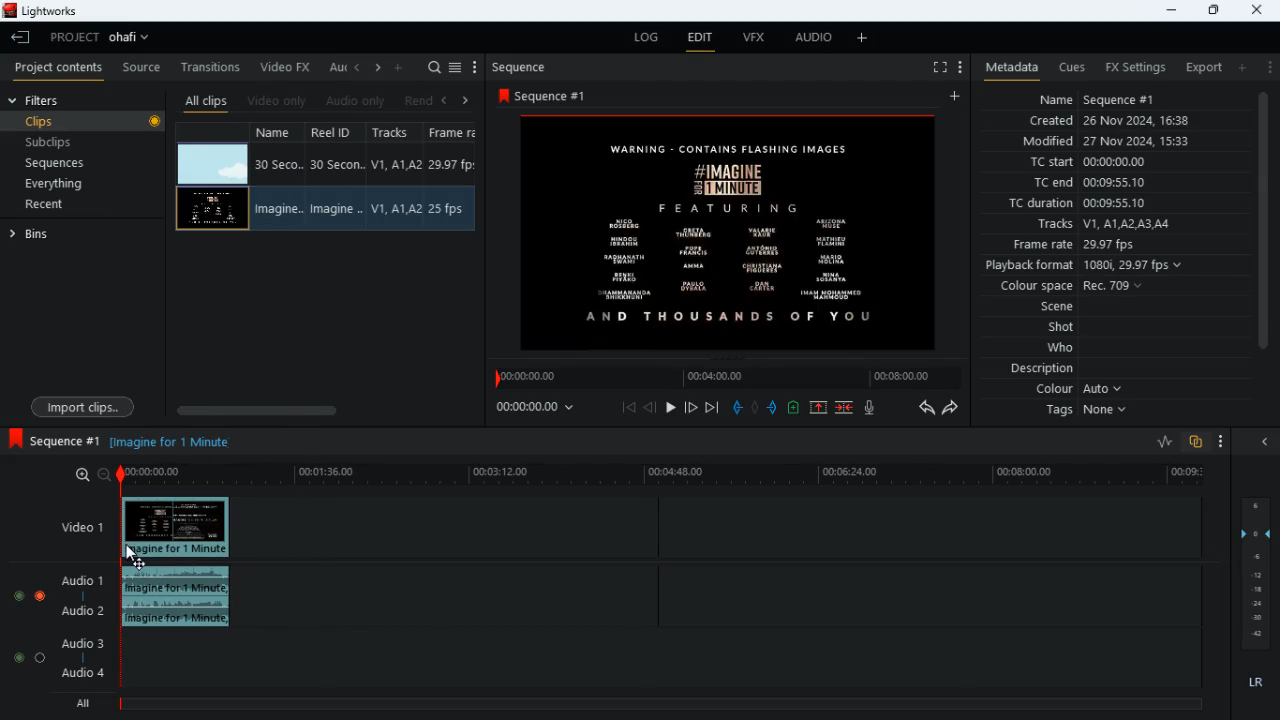  Describe the element at coordinates (84, 644) in the screenshot. I see `audio 3` at that location.